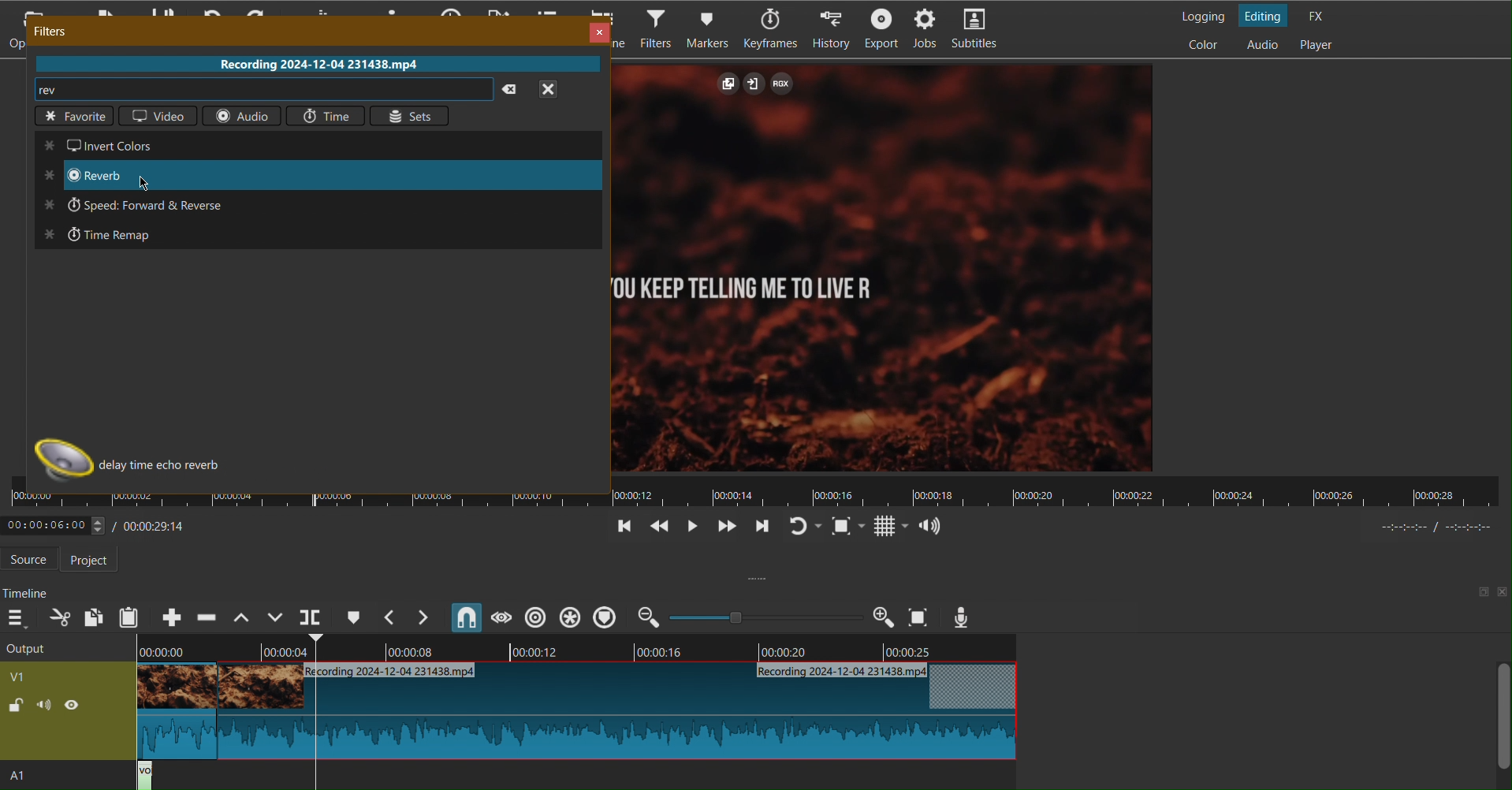 This screenshot has height=790, width=1512. Describe the element at coordinates (571, 714) in the screenshot. I see `Clip` at that location.